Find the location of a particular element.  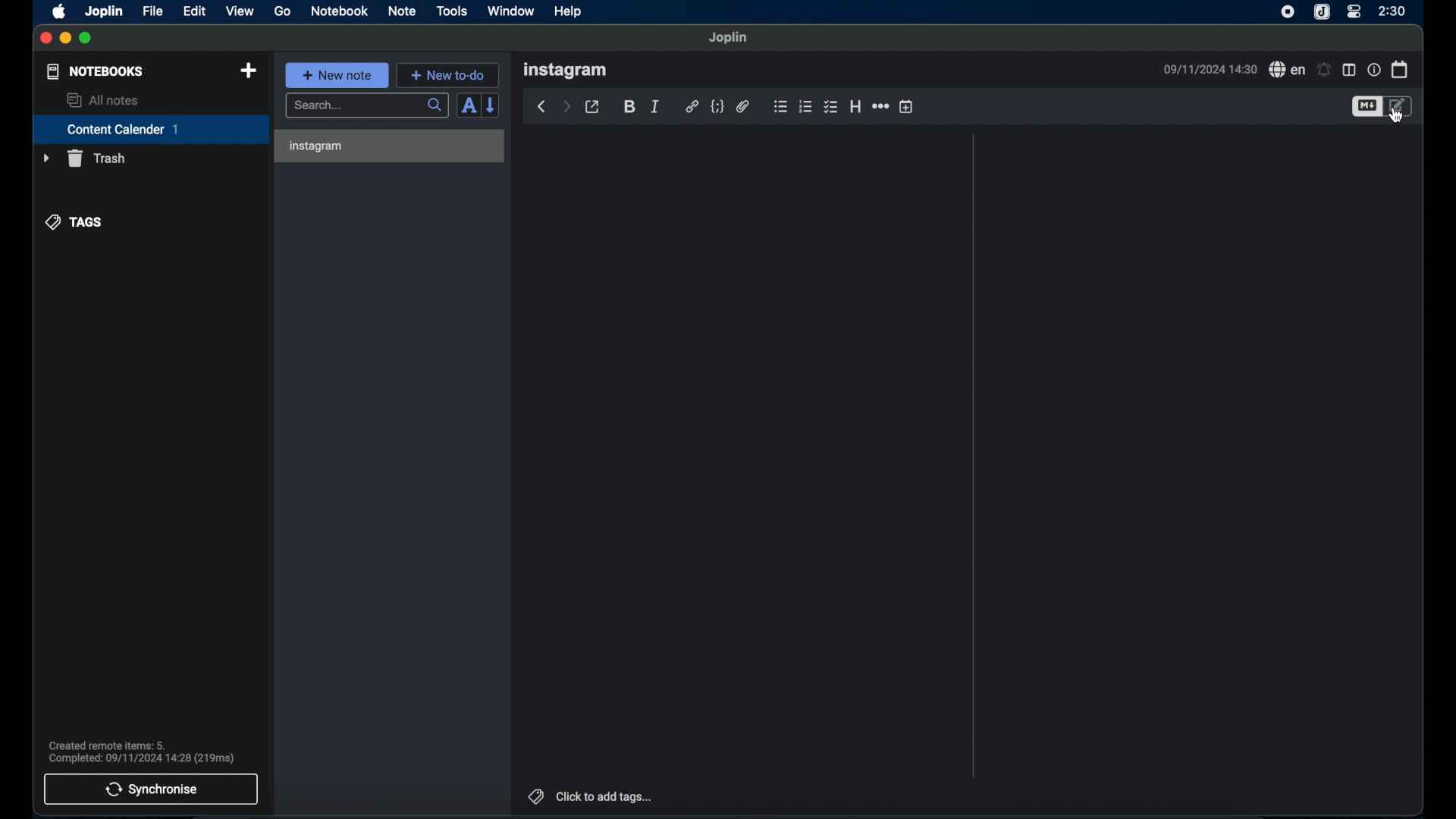

maximize is located at coordinates (86, 39).